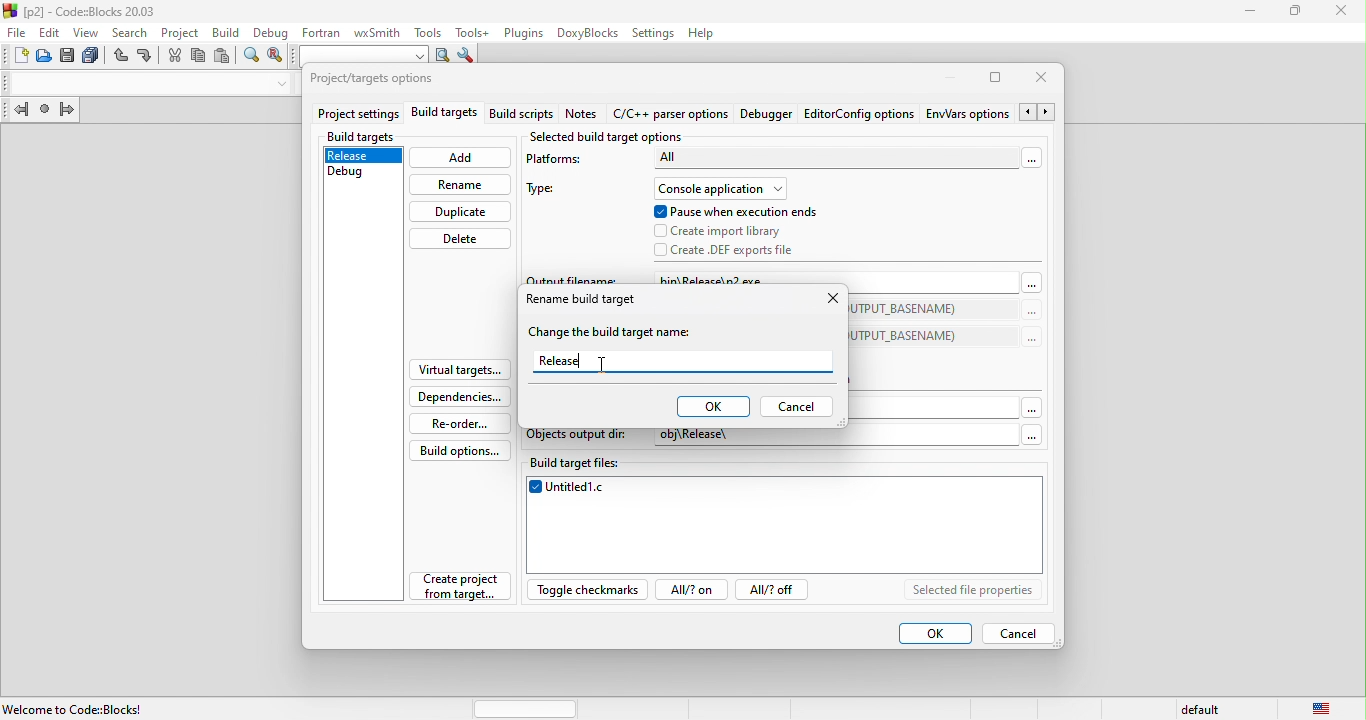 The height and width of the screenshot is (720, 1366). I want to click on project\target option, so click(372, 80).